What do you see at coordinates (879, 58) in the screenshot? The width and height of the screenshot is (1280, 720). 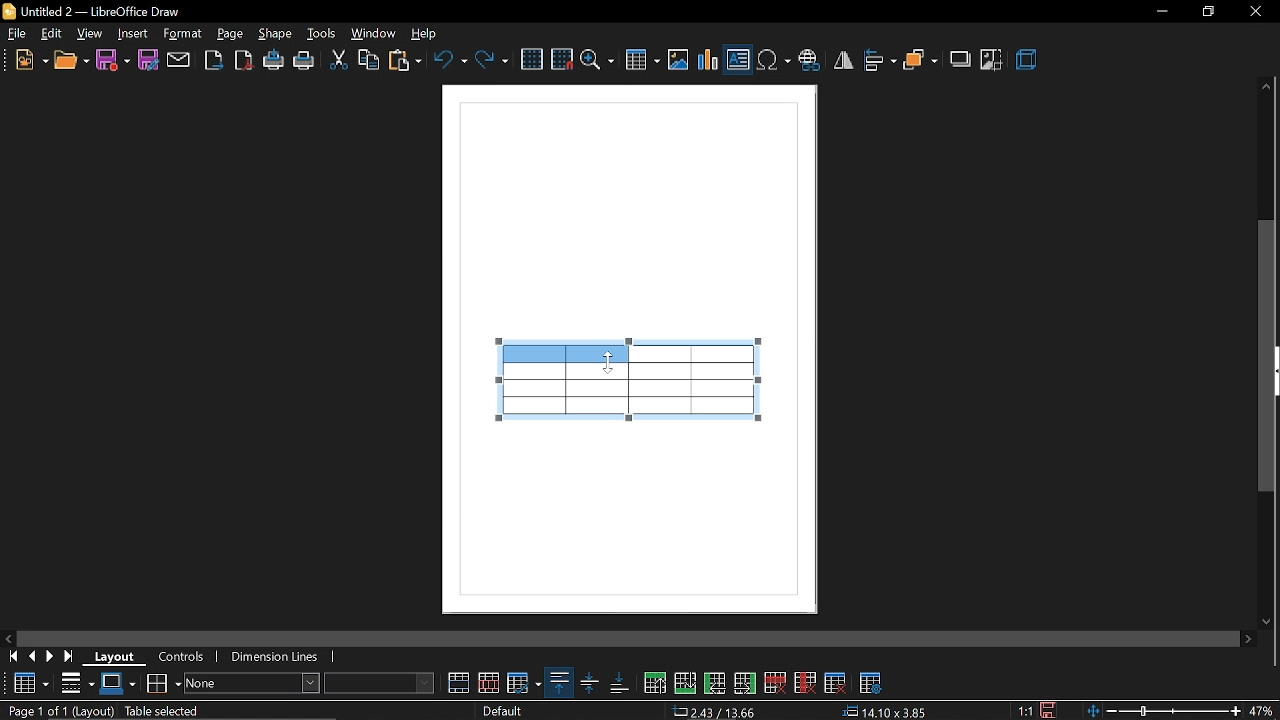 I see `align` at bounding box center [879, 58].